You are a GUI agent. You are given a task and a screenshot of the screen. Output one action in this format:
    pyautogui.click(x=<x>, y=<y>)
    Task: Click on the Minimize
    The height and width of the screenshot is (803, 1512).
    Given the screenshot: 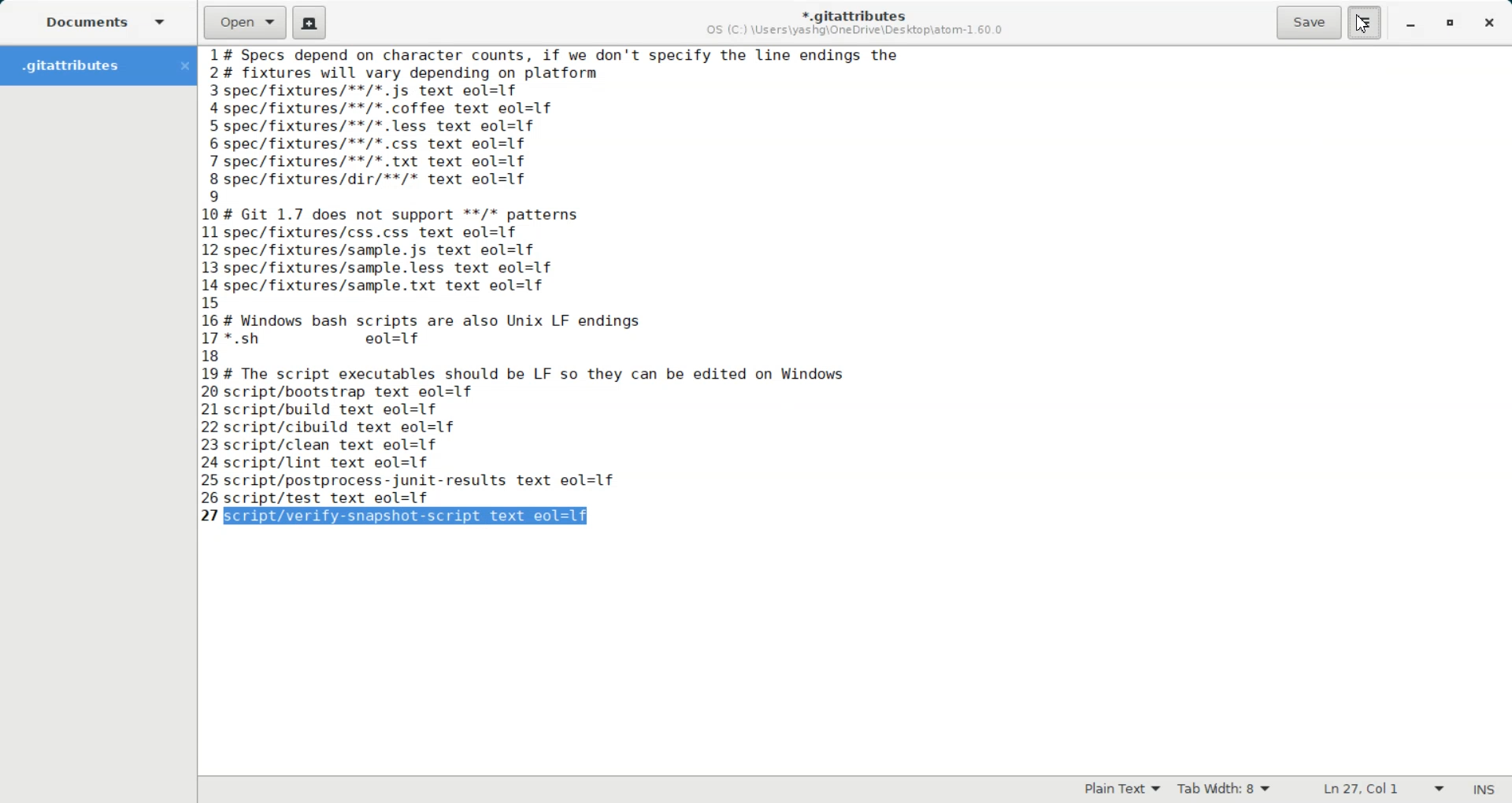 What is the action you would take?
    pyautogui.click(x=1410, y=25)
    